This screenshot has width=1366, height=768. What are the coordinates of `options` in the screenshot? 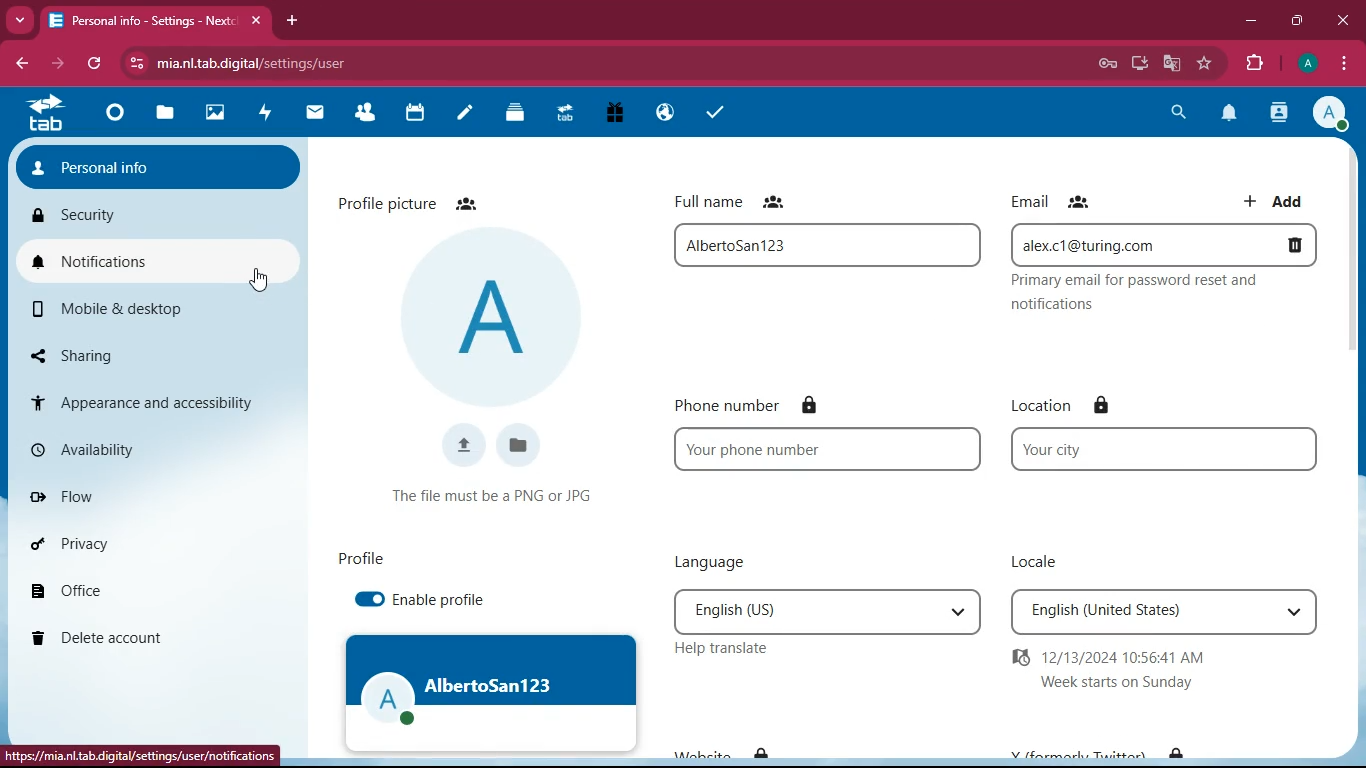 It's located at (1346, 65).